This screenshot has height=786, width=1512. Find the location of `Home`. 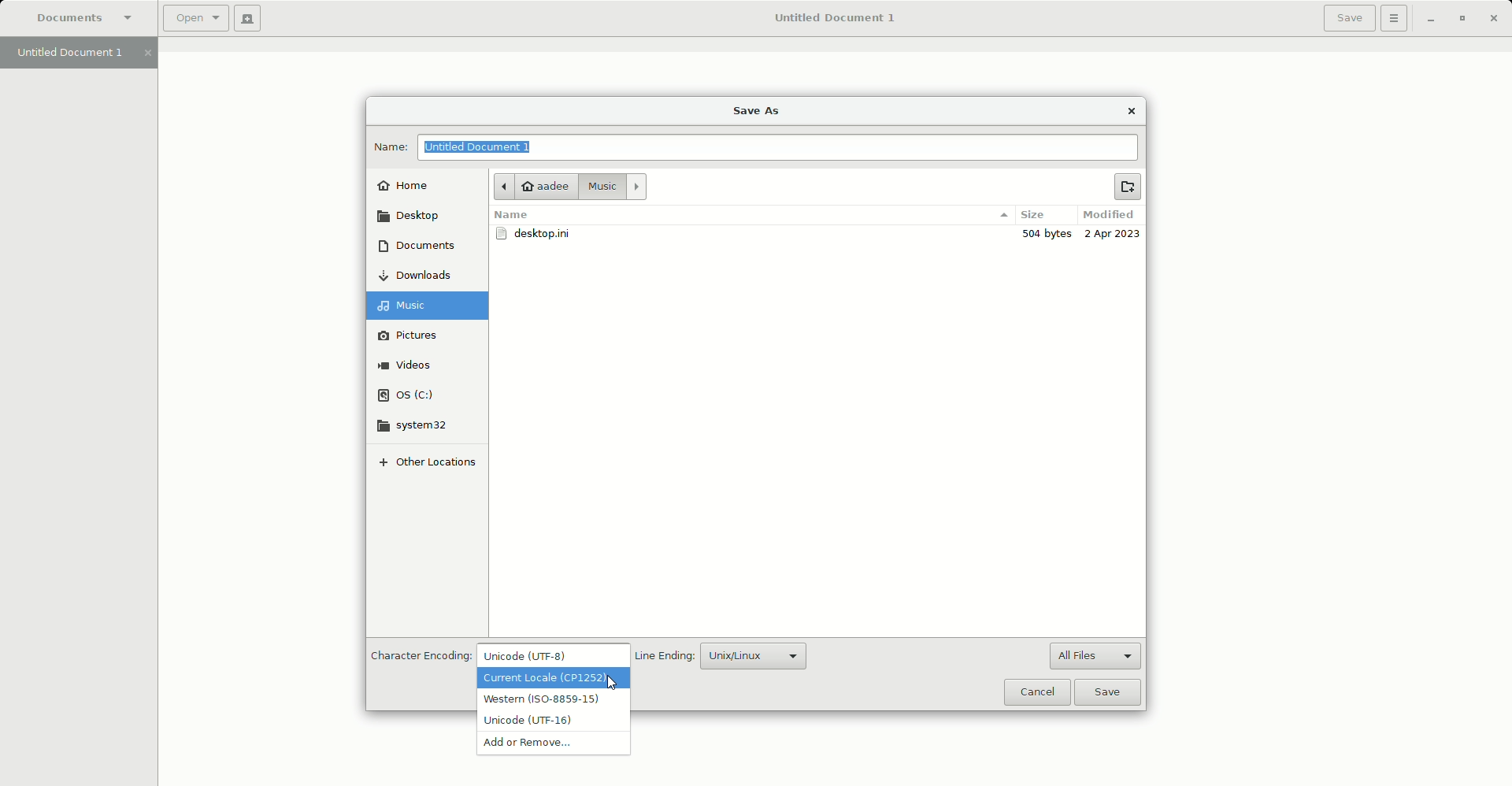

Home is located at coordinates (406, 187).